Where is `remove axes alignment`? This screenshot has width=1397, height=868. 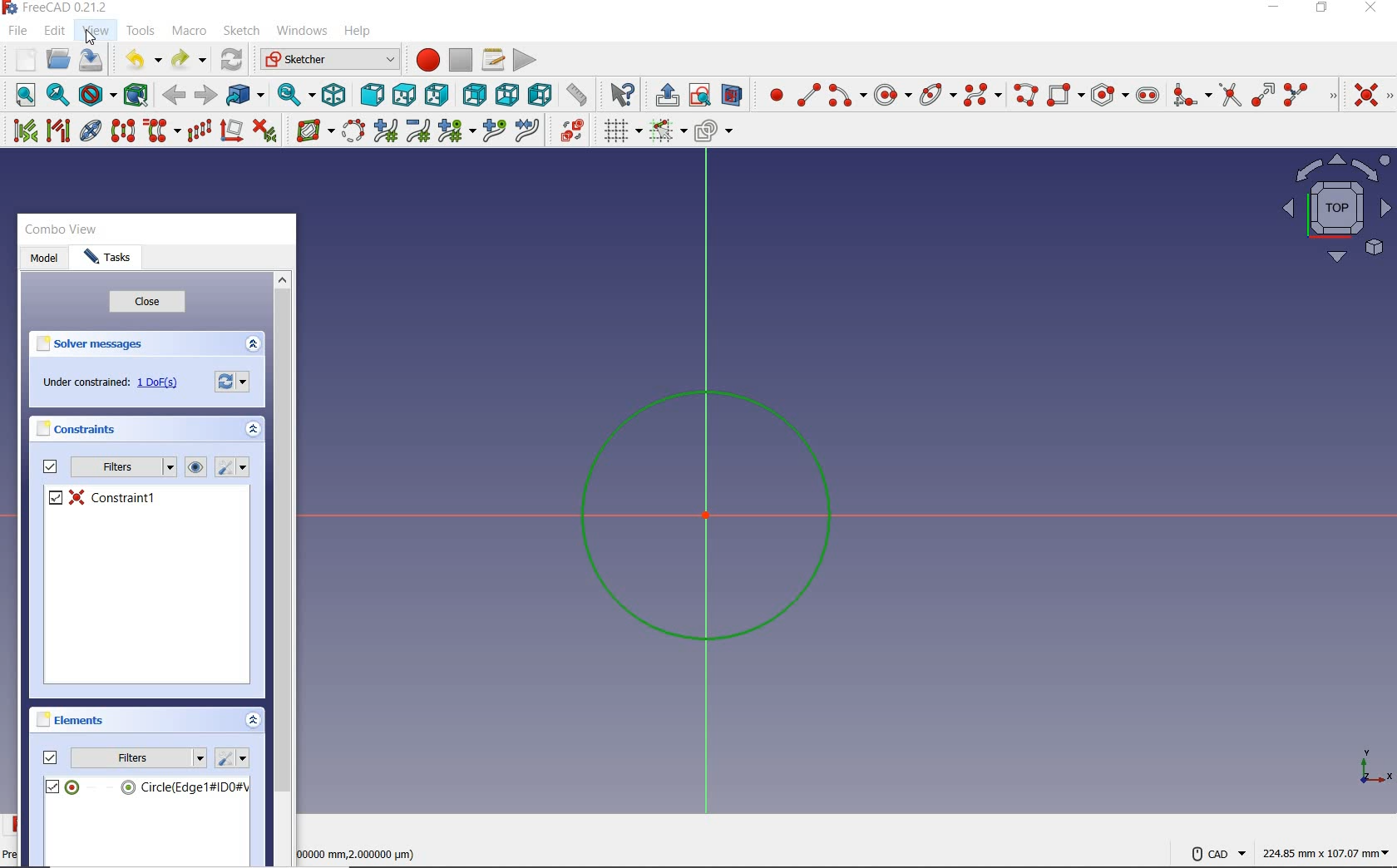 remove axes alignment is located at coordinates (231, 131).